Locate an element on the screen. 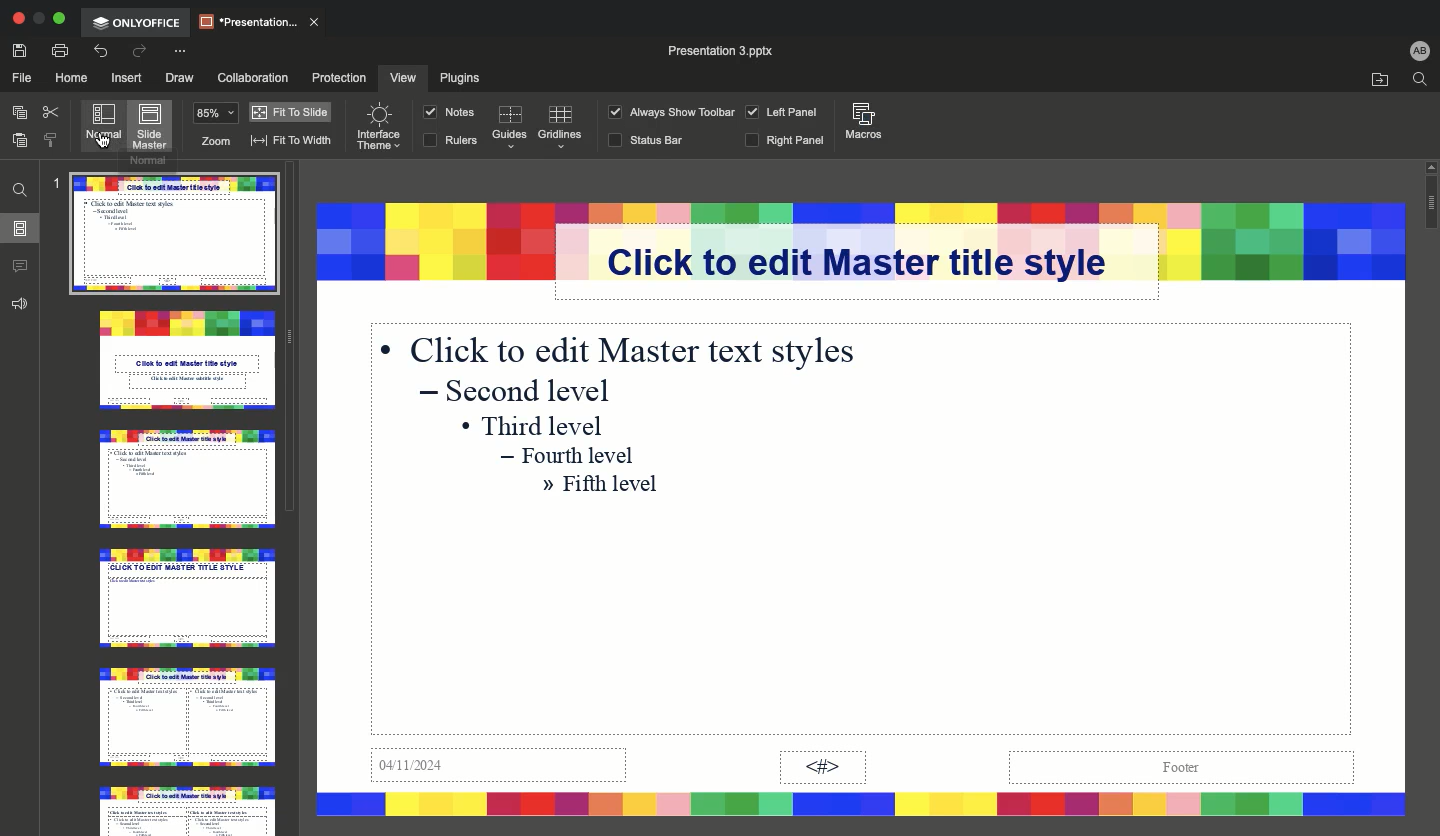 This screenshot has height=836, width=1440. Footer is located at coordinates (1177, 767).